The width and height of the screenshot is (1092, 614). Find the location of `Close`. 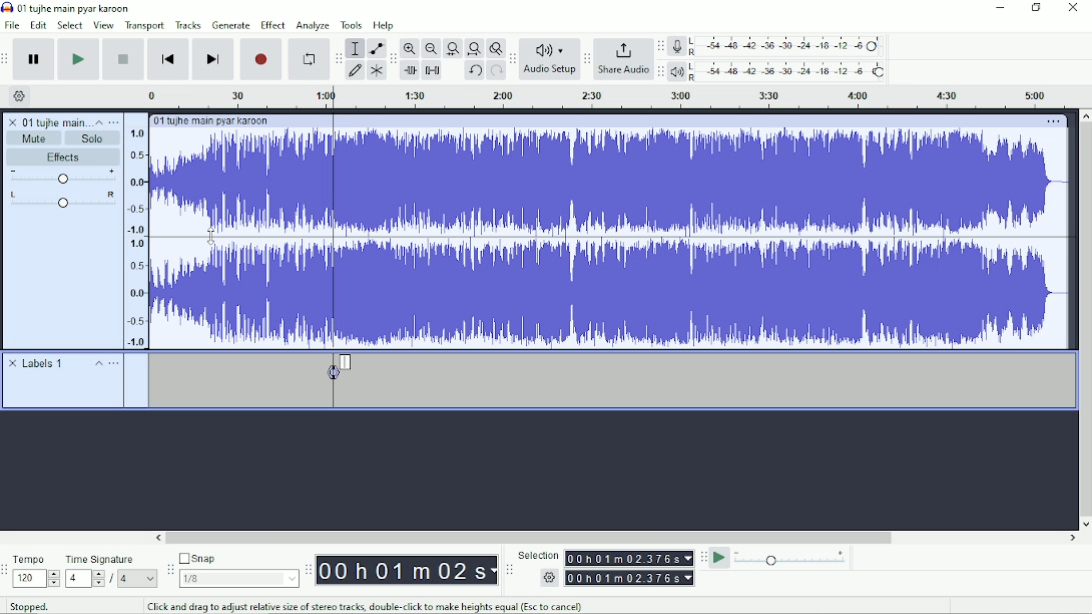

Close is located at coordinates (1072, 10).